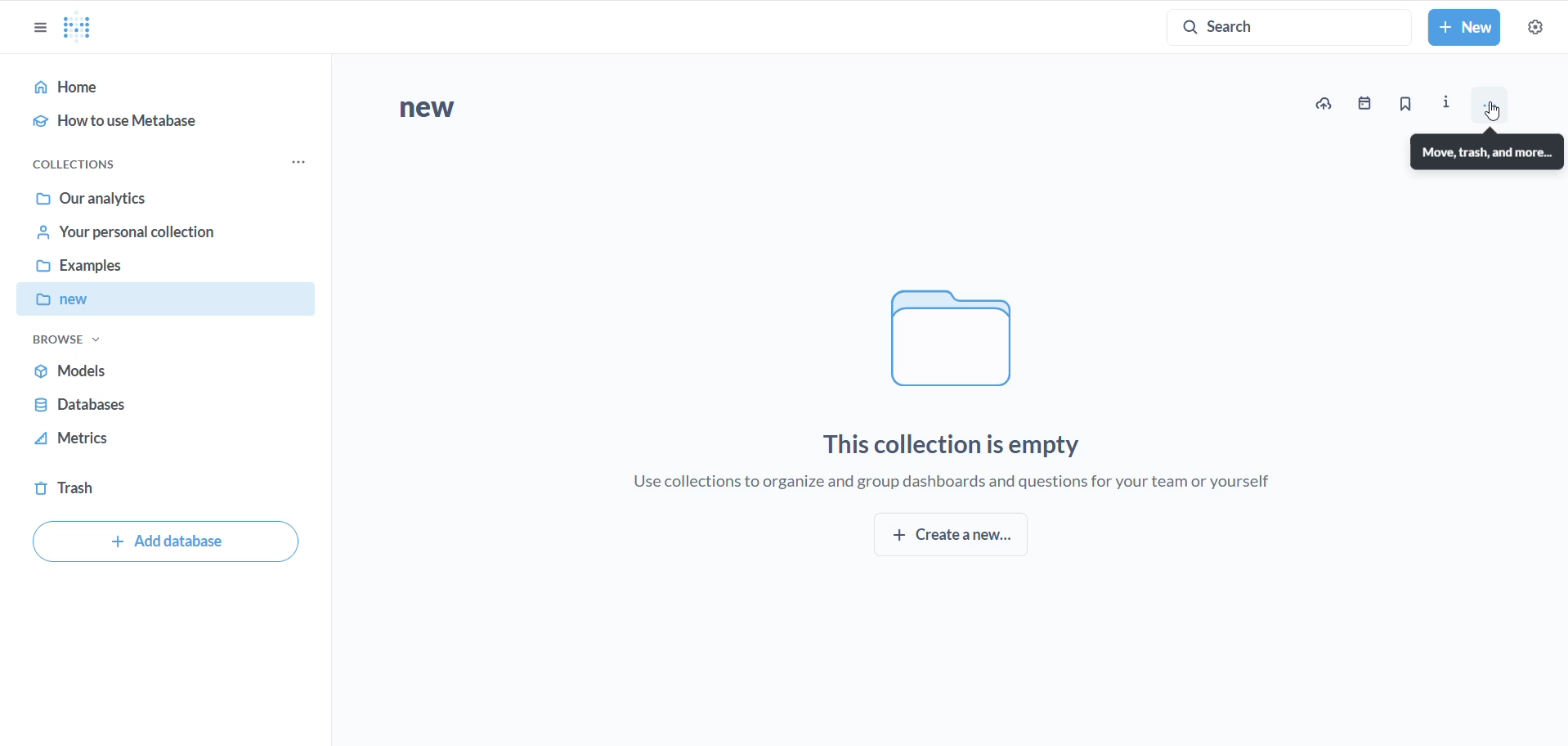 Image resolution: width=1568 pixels, height=746 pixels. Describe the element at coordinates (1369, 105) in the screenshot. I see `date` at that location.